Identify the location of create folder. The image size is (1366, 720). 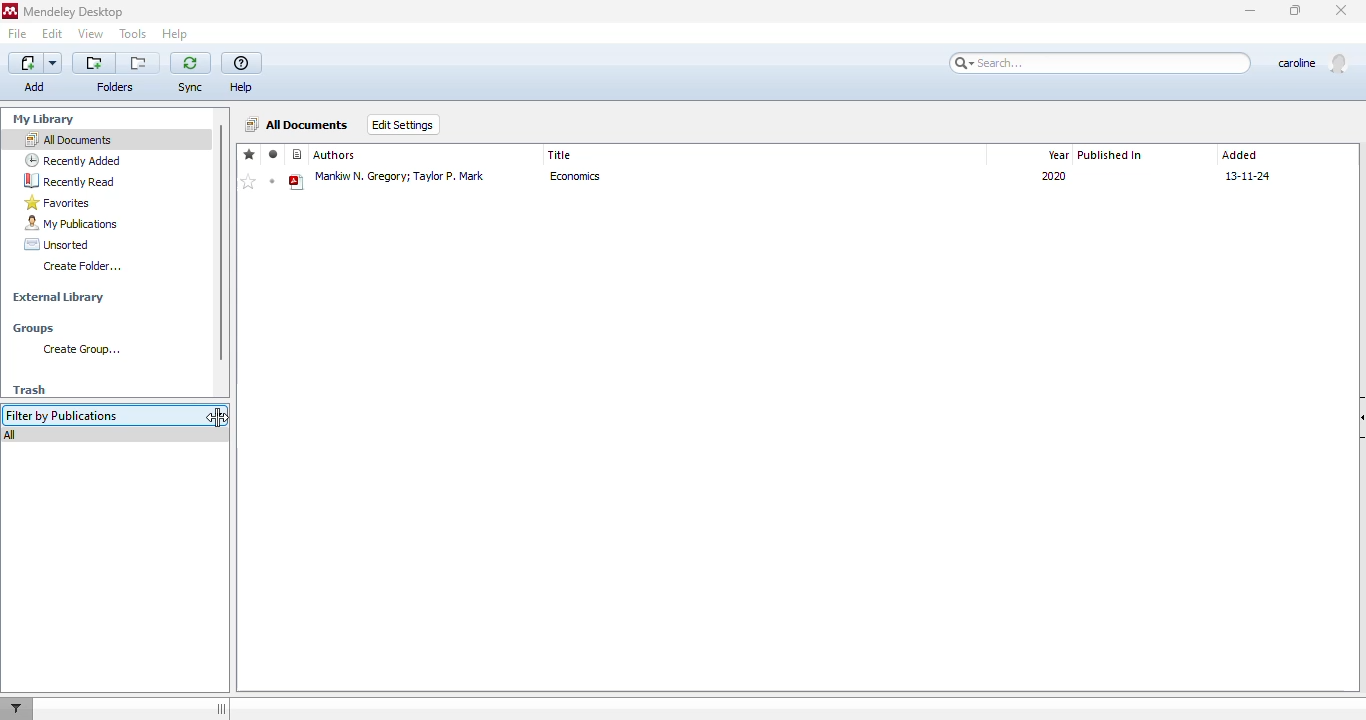
(84, 267).